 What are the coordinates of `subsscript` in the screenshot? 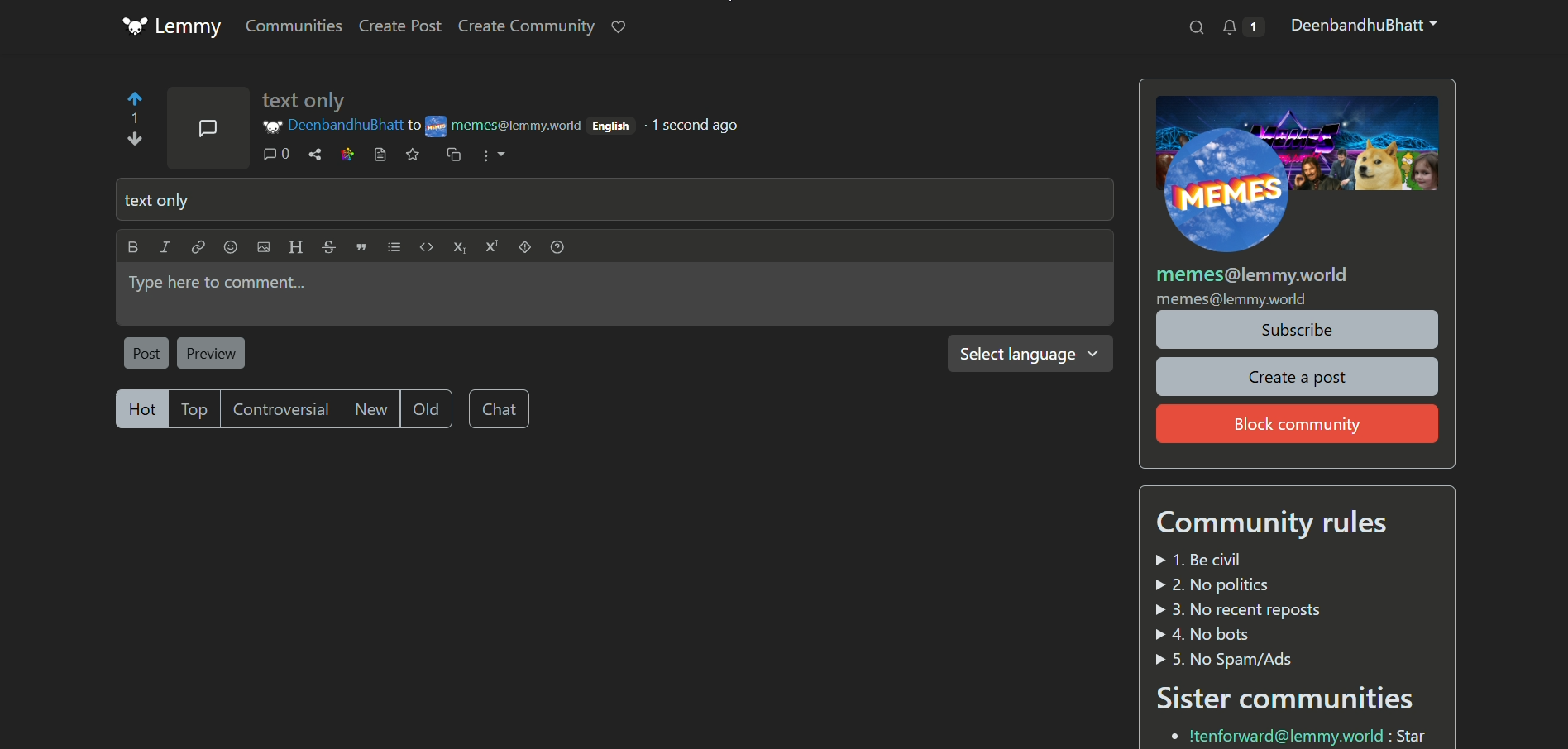 It's located at (459, 246).